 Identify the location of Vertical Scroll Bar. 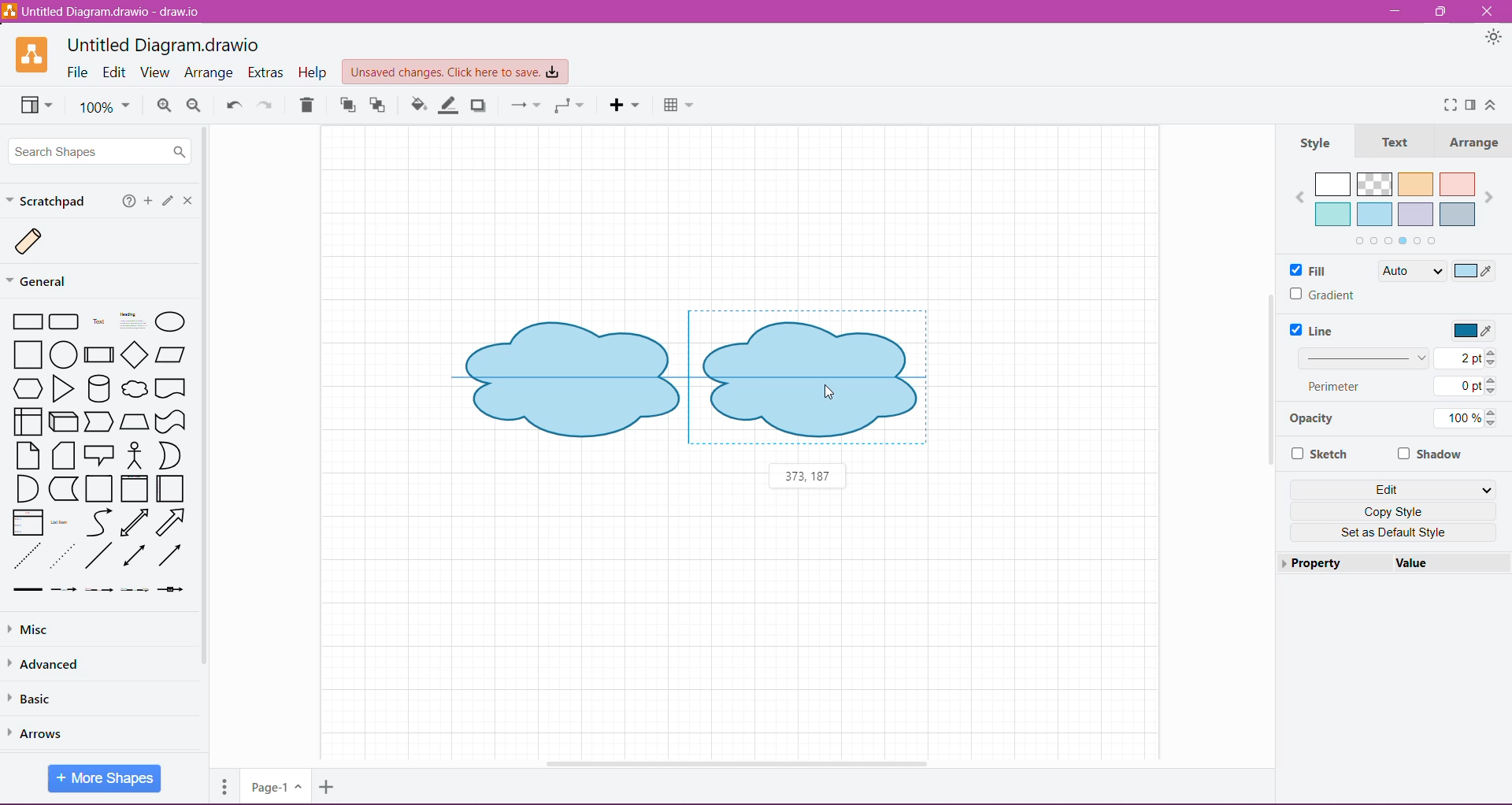
(208, 440).